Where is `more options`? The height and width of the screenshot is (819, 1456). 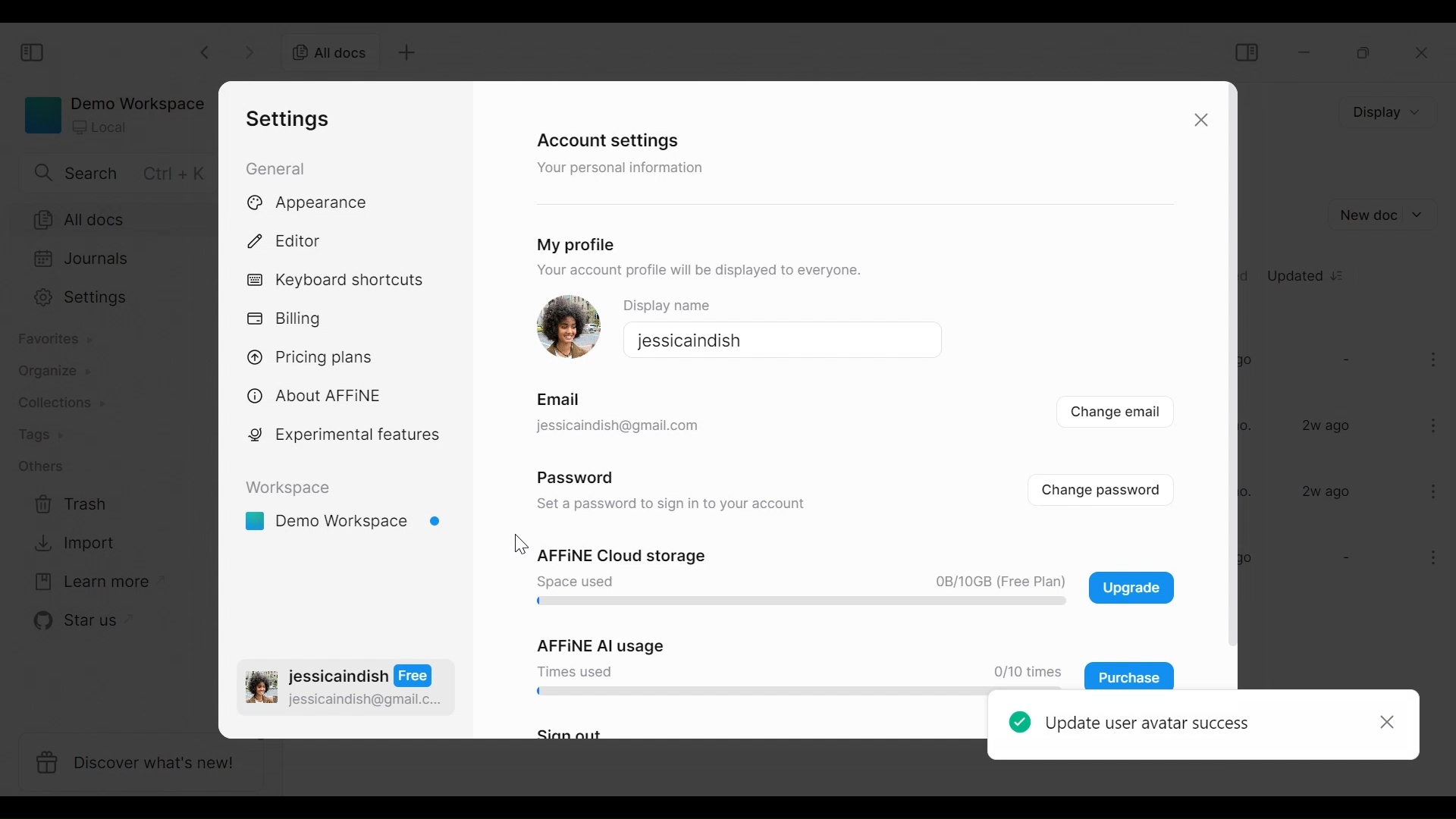 more options is located at coordinates (1431, 491).